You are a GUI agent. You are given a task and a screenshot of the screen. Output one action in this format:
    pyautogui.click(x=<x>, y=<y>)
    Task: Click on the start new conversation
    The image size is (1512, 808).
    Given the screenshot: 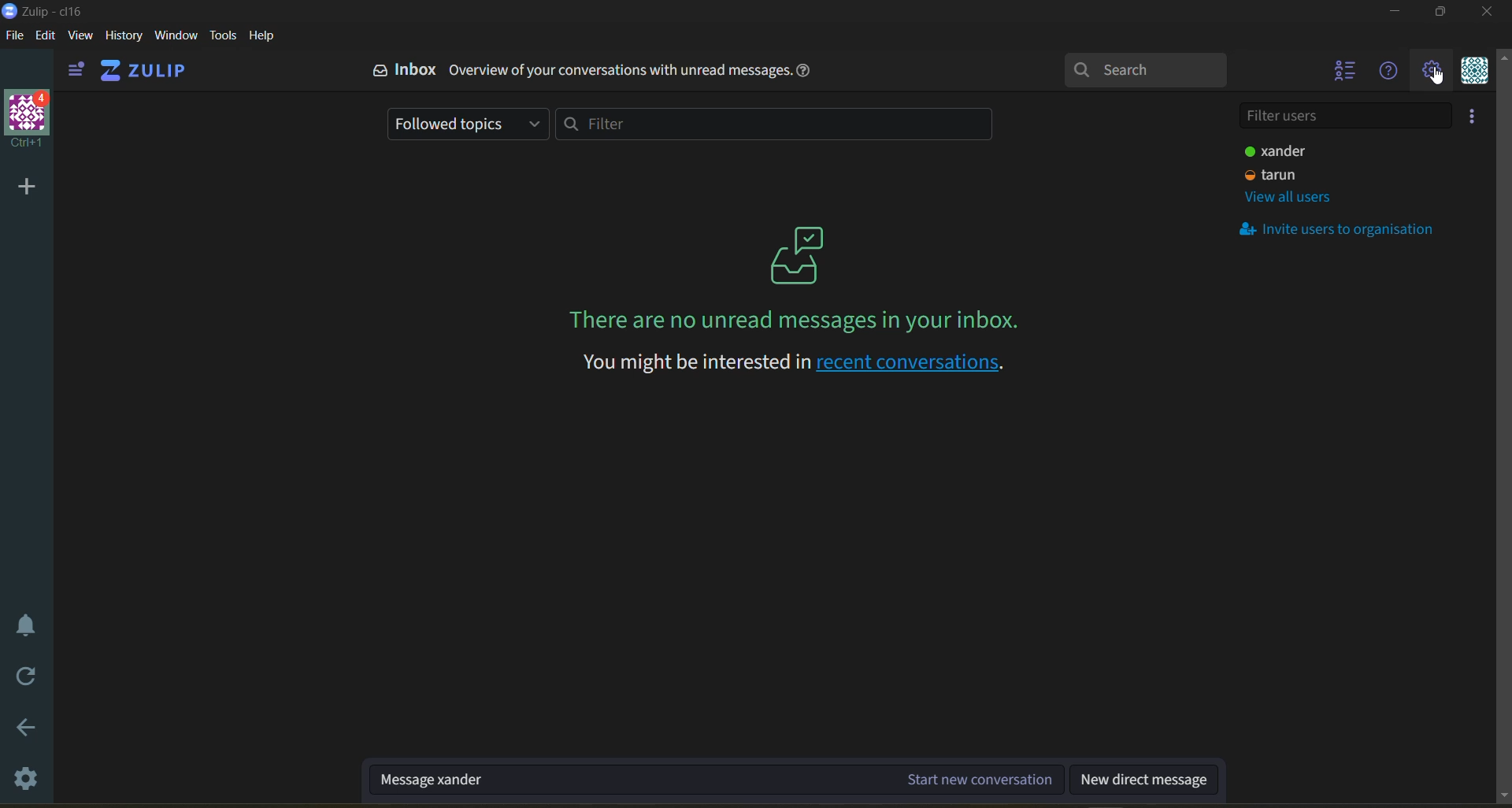 What is the action you would take?
    pyautogui.click(x=717, y=779)
    